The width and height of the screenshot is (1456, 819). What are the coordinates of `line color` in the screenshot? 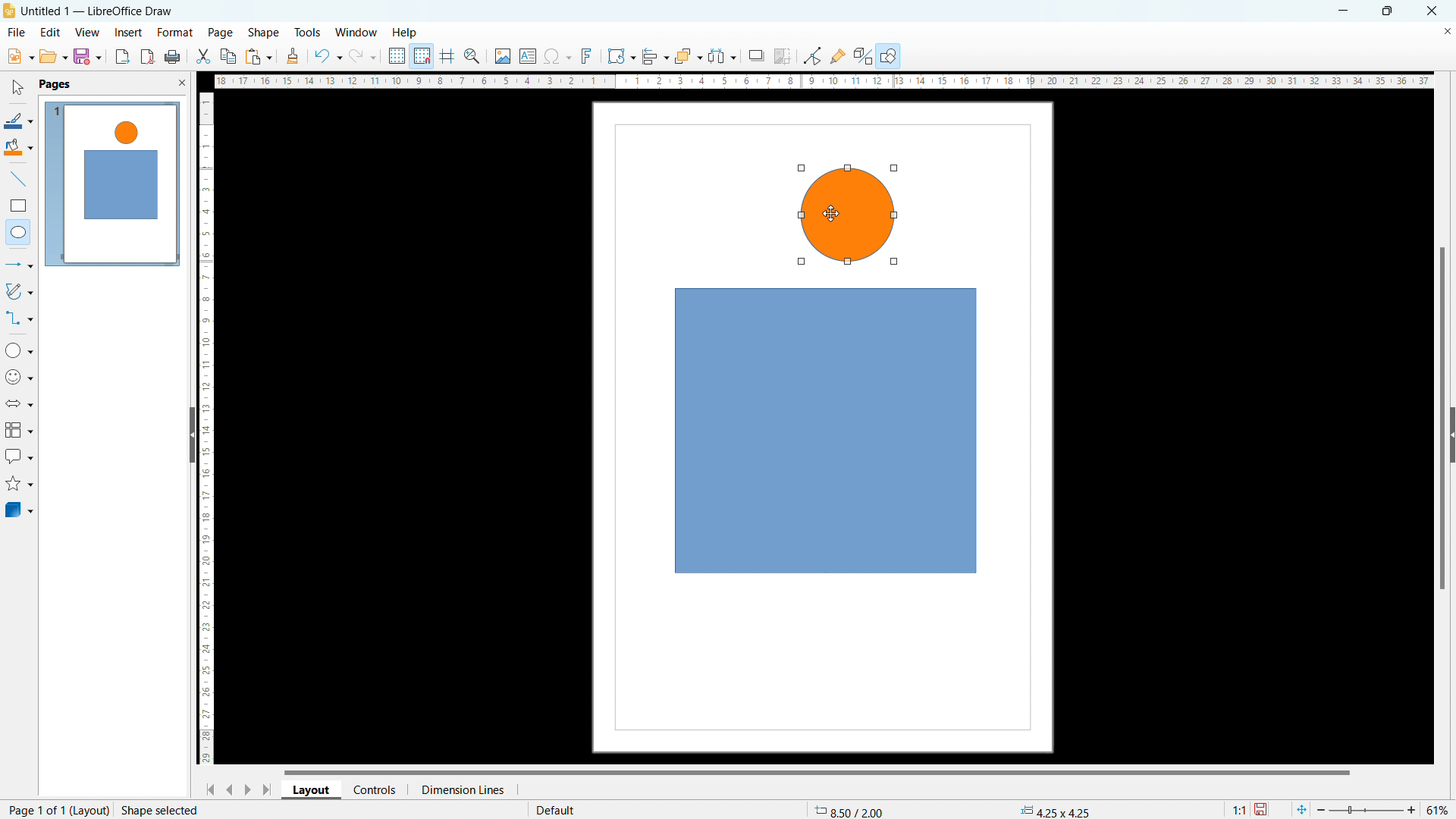 It's located at (18, 121).